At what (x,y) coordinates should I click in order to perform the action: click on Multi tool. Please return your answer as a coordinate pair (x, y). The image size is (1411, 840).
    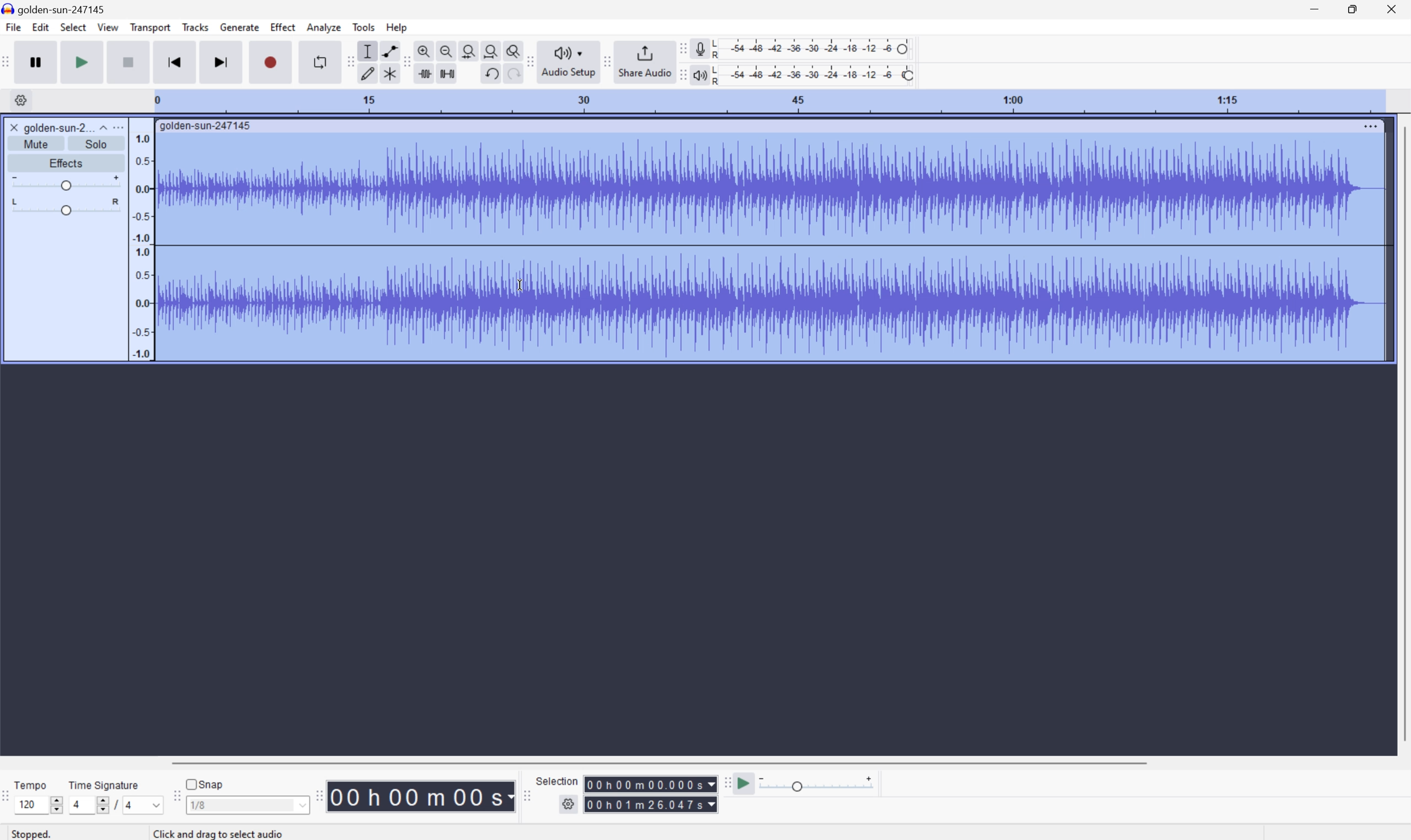
    Looking at the image, I should click on (387, 76).